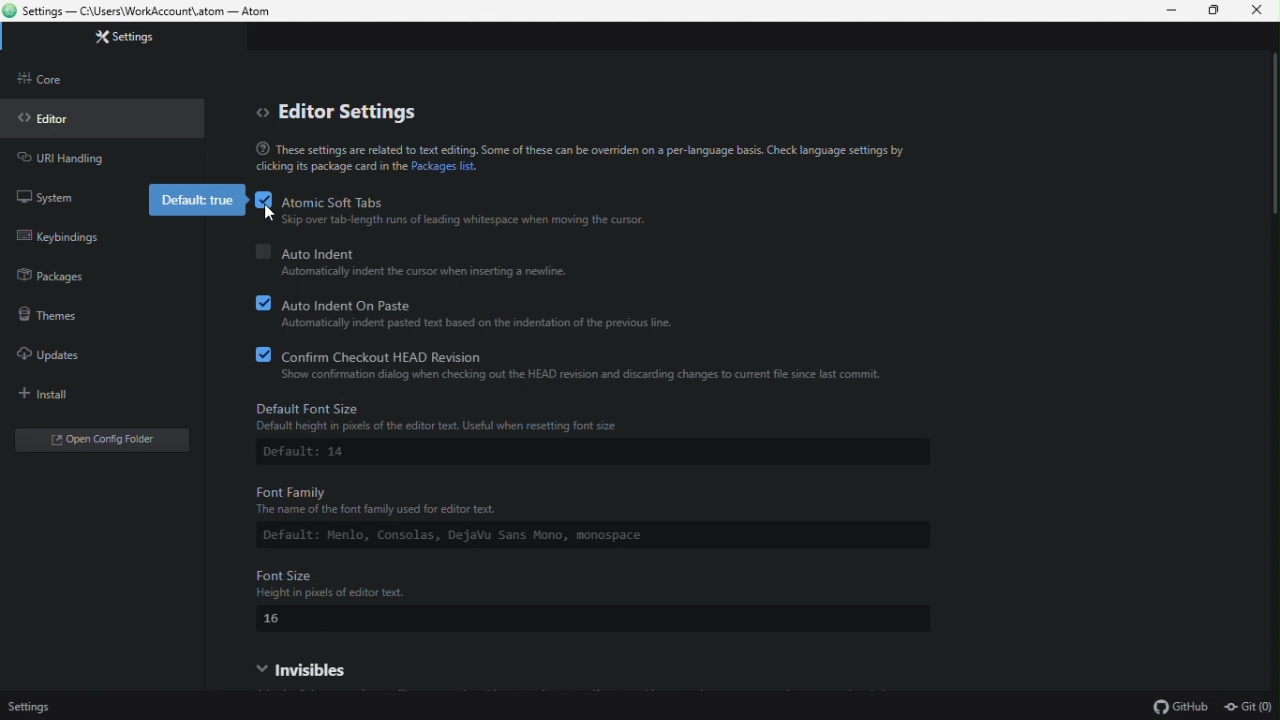 The width and height of the screenshot is (1280, 720). What do you see at coordinates (63, 237) in the screenshot?
I see `Keybinding` at bounding box center [63, 237].